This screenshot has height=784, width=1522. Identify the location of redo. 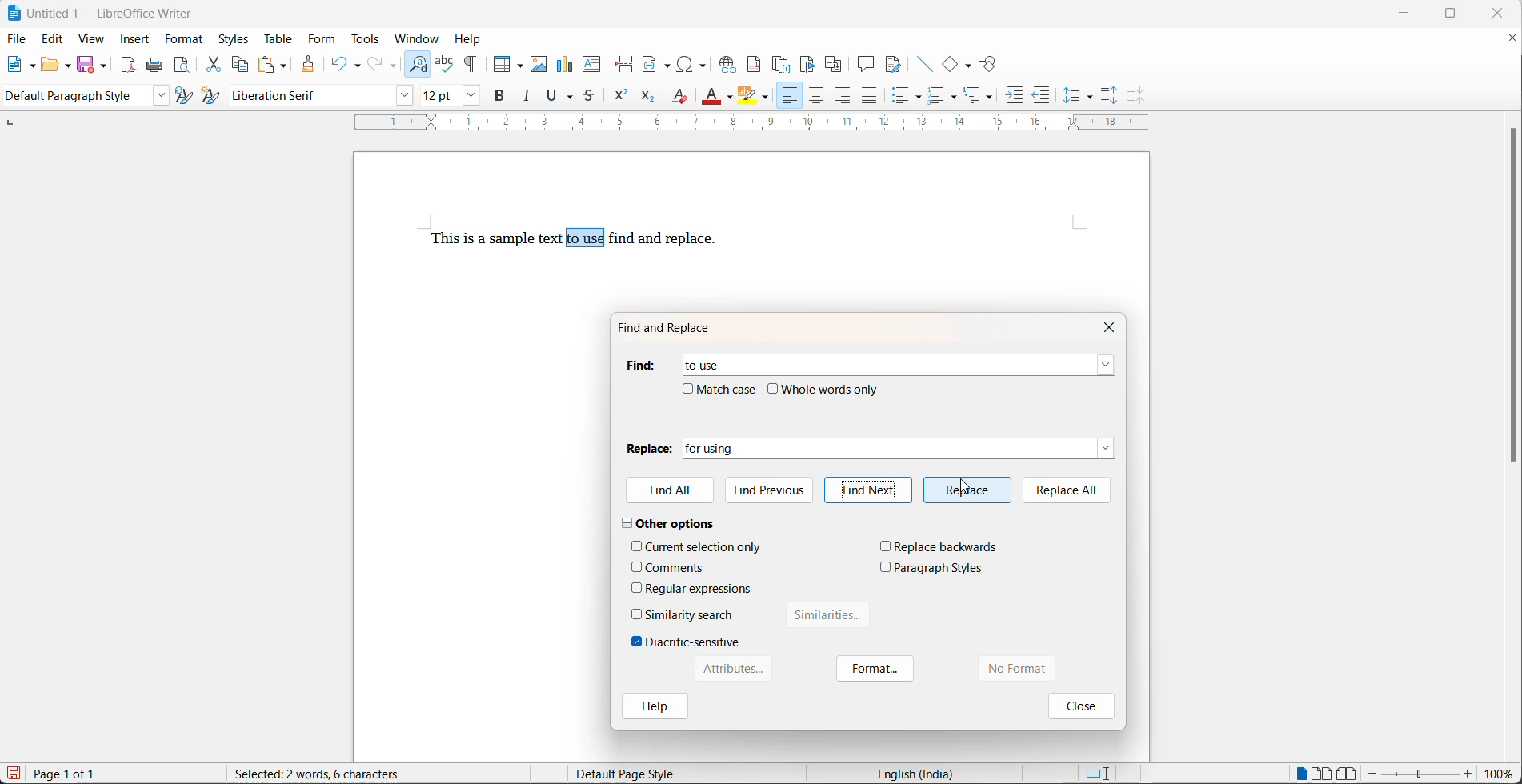
(376, 64).